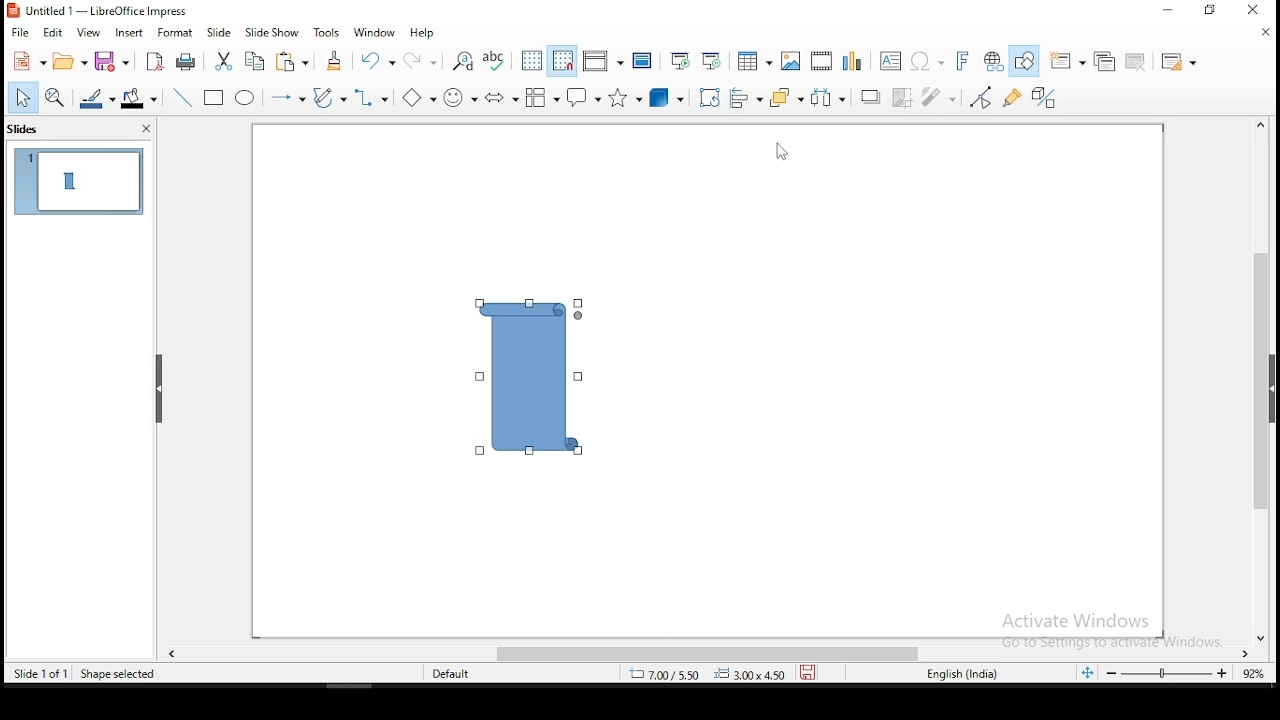 Image resolution: width=1280 pixels, height=720 pixels. I want to click on clone formatting, so click(333, 59).